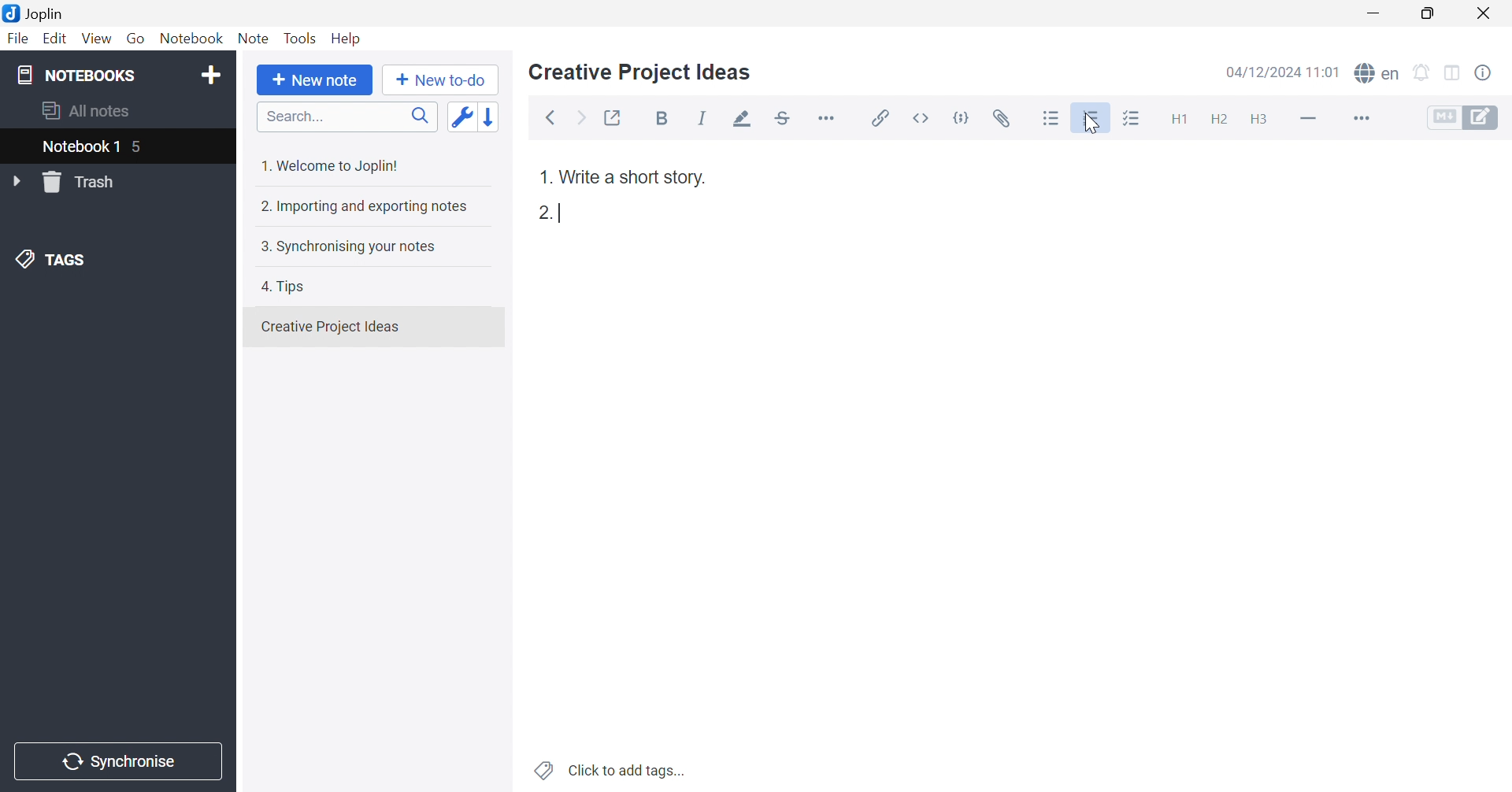 The height and width of the screenshot is (792, 1512). I want to click on Numbered list, so click(1092, 120).